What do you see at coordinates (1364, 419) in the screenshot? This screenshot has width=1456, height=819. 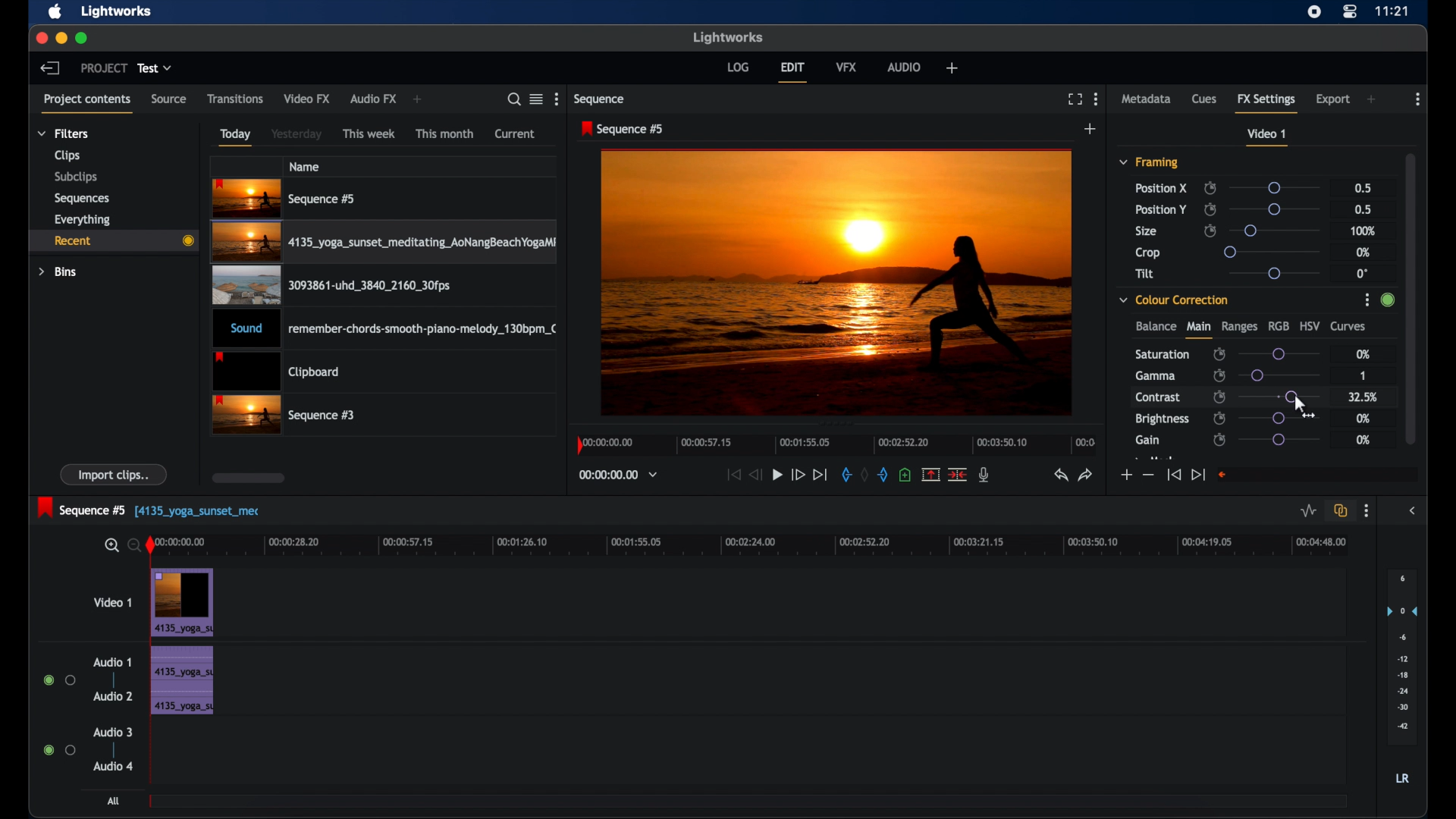 I see `0%` at bounding box center [1364, 419].